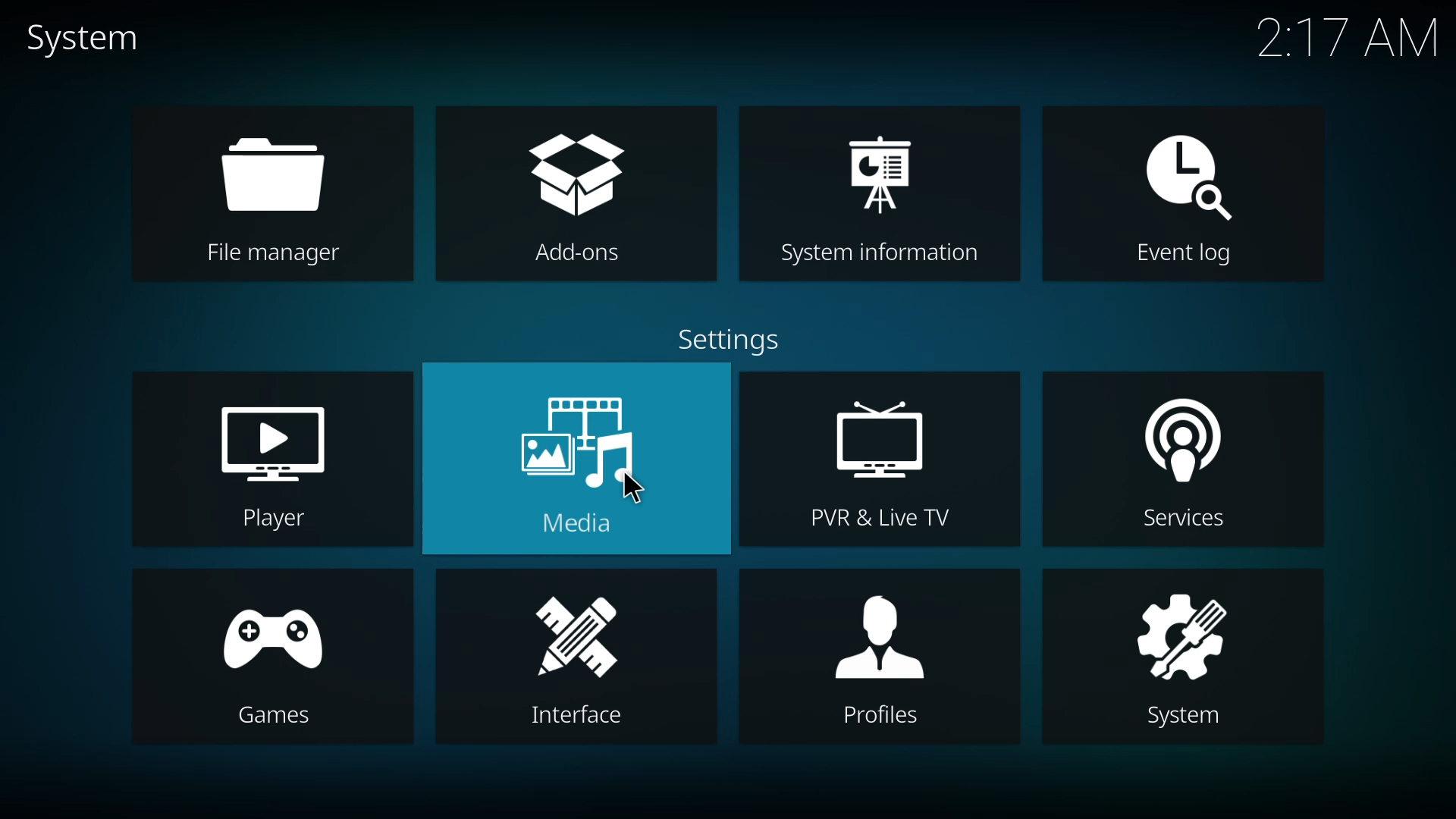 The height and width of the screenshot is (819, 1456). Describe the element at coordinates (567, 657) in the screenshot. I see `interface` at that location.